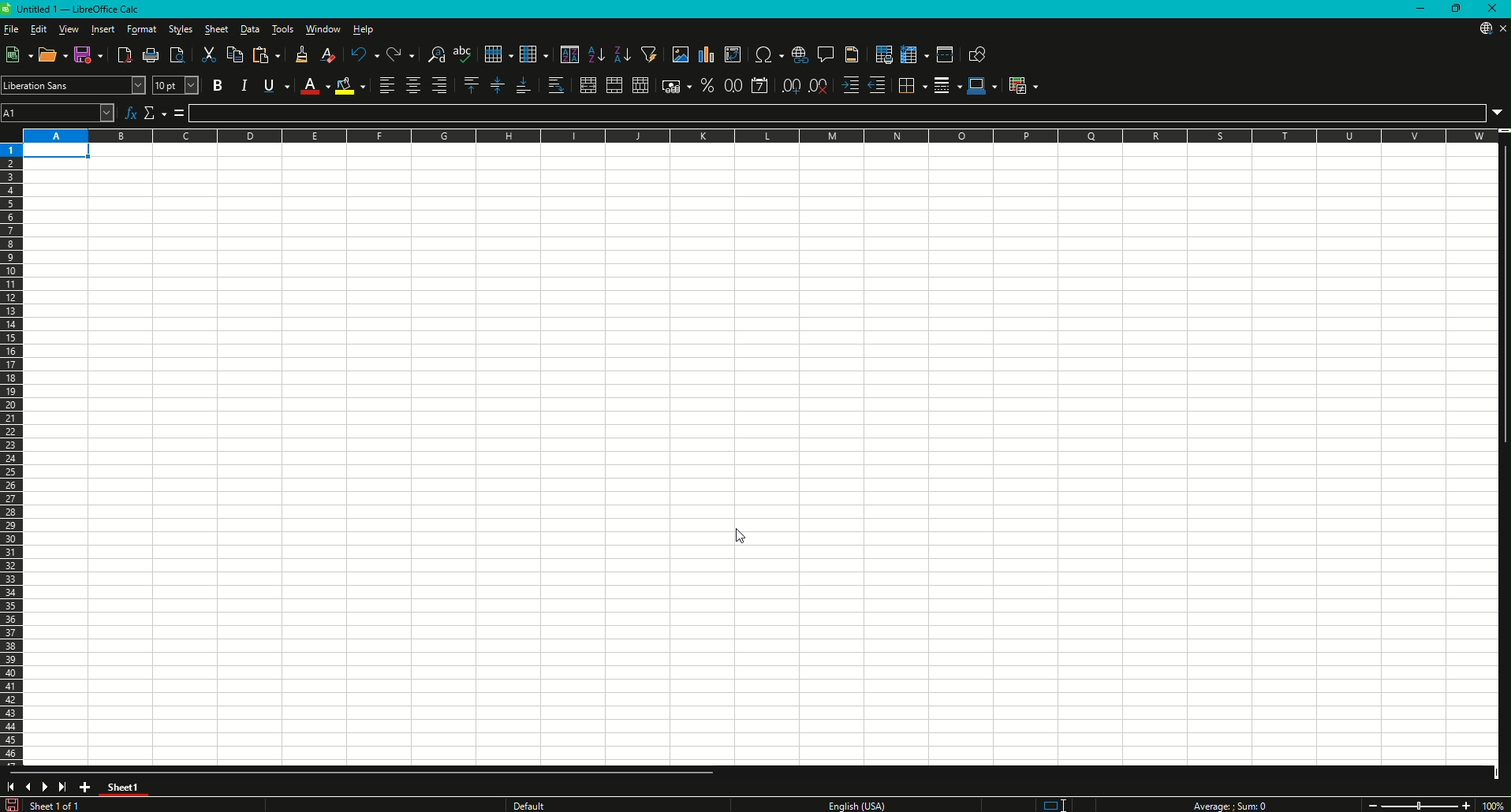 The image size is (1511, 812). I want to click on Row, so click(498, 54).